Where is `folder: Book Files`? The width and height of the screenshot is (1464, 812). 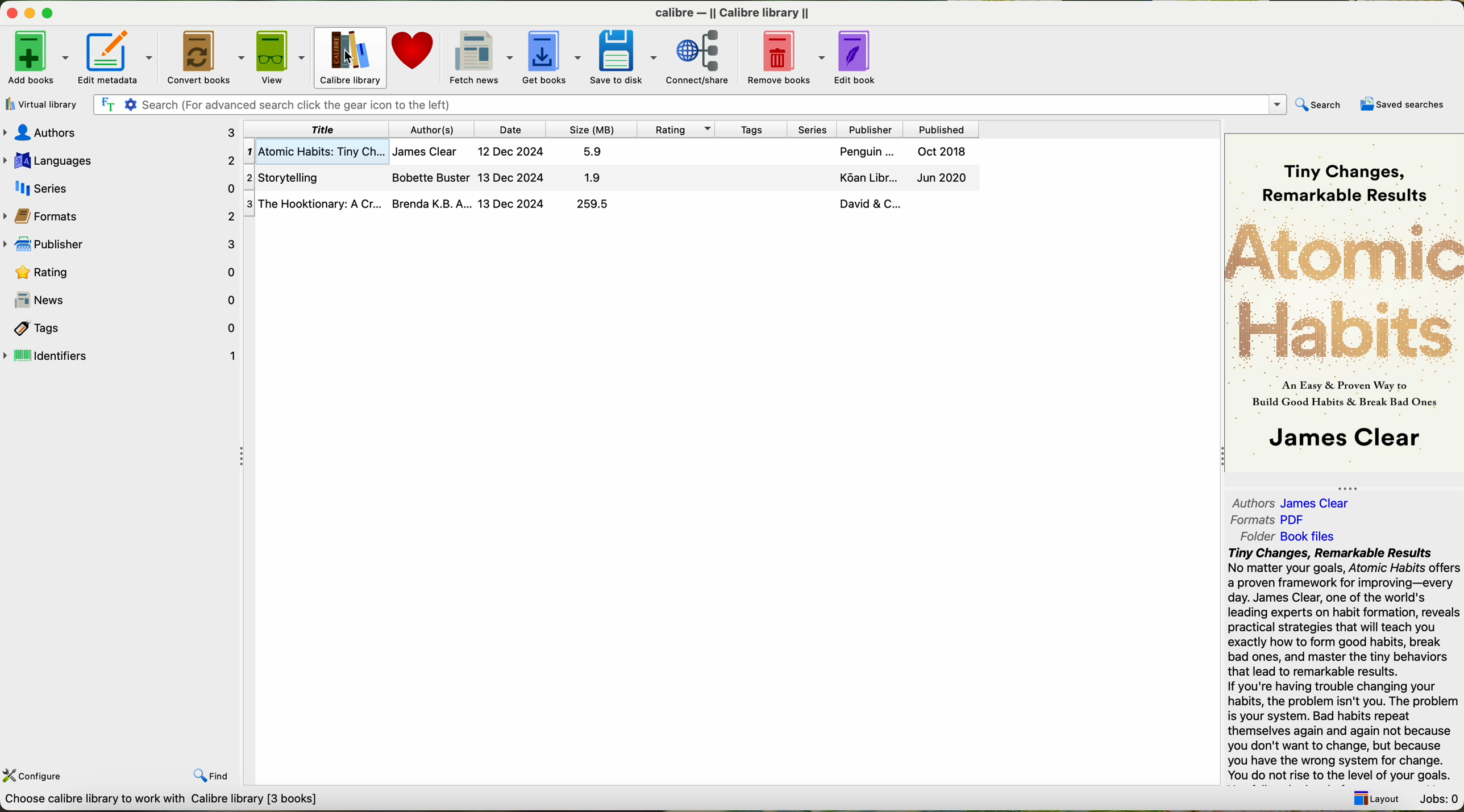 folder: Book Files is located at coordinates (1288, 536).